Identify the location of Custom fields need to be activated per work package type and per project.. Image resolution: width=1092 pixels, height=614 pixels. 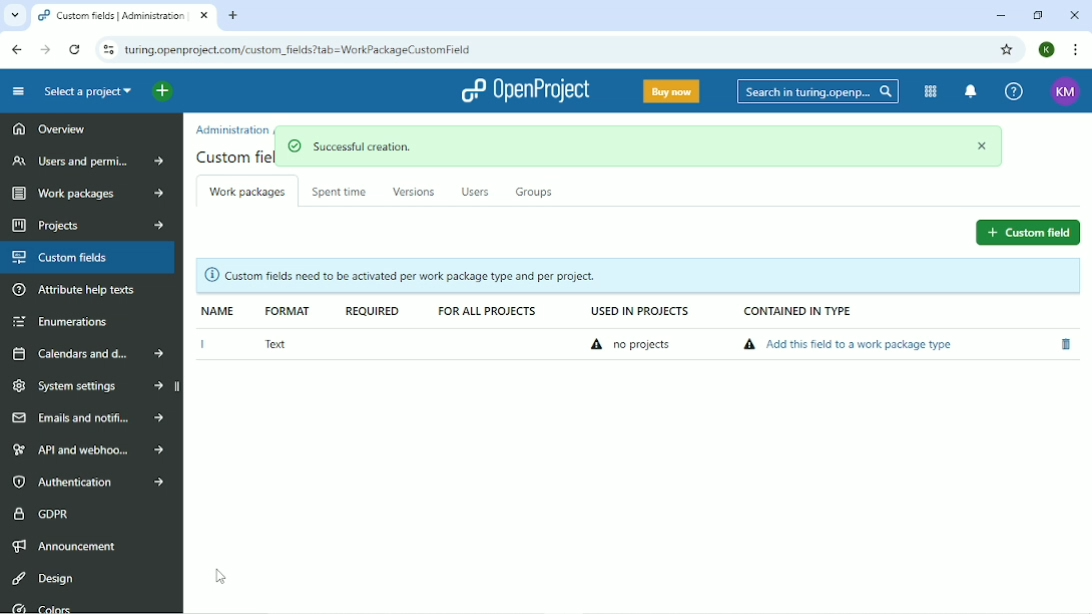
(636, 276).